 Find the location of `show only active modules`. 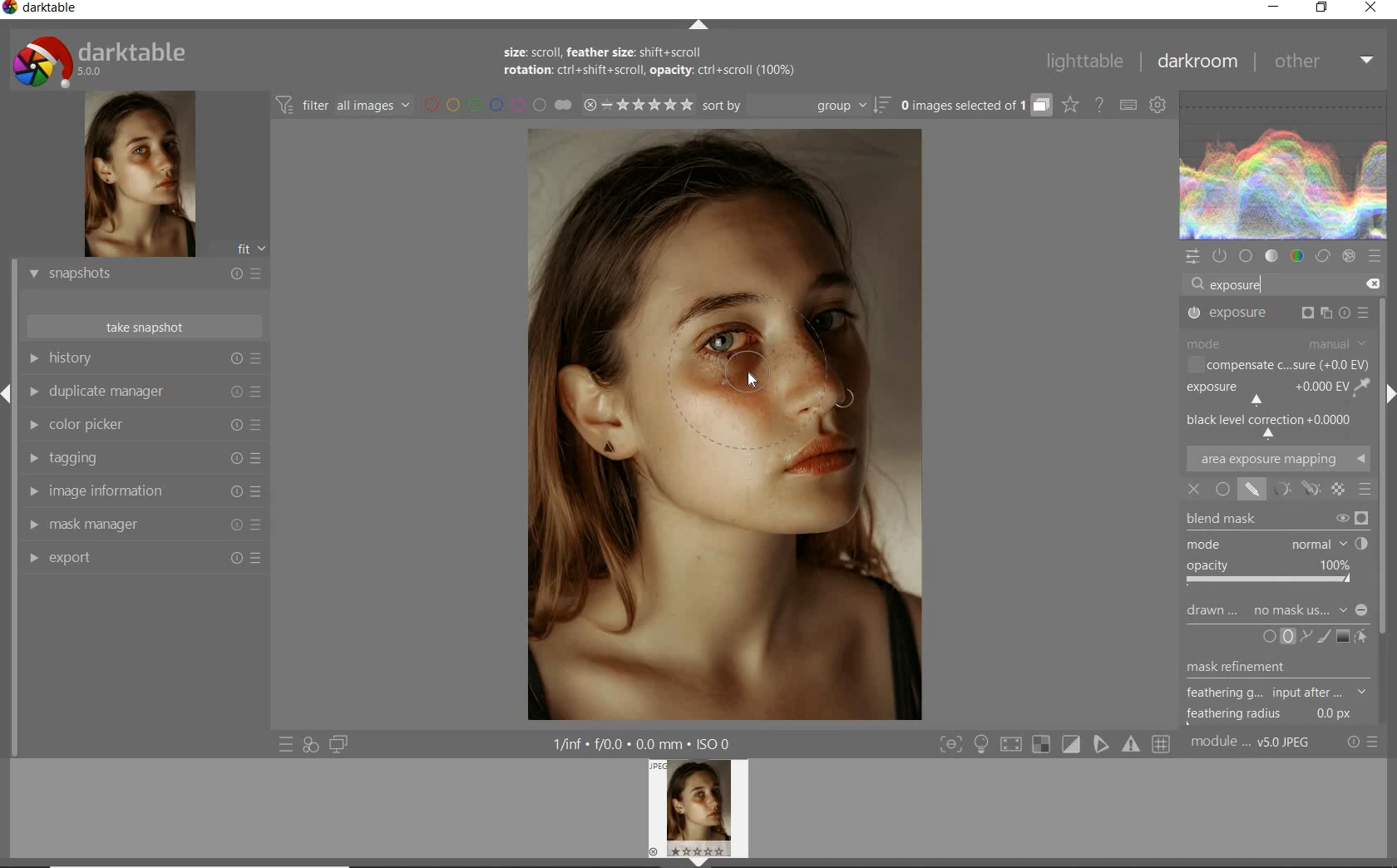

show only active modules is located at coordinates (1219, 257).